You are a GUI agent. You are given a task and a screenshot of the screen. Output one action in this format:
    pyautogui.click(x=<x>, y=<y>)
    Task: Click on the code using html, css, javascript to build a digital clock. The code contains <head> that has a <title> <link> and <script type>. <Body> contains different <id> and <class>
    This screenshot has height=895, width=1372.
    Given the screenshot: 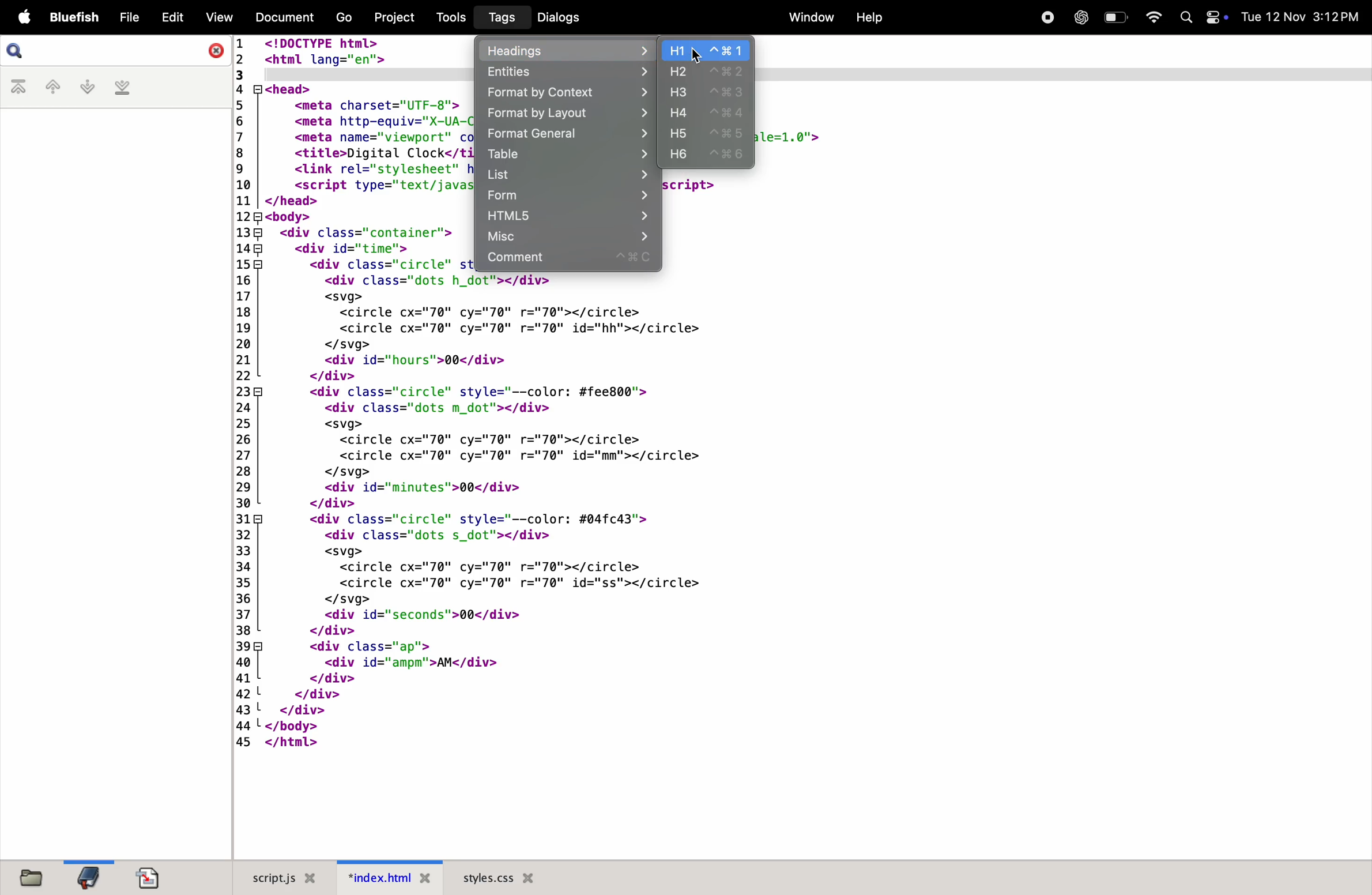 What is the action you would take?
    pyautogui.click(x=1064, y=103)
    